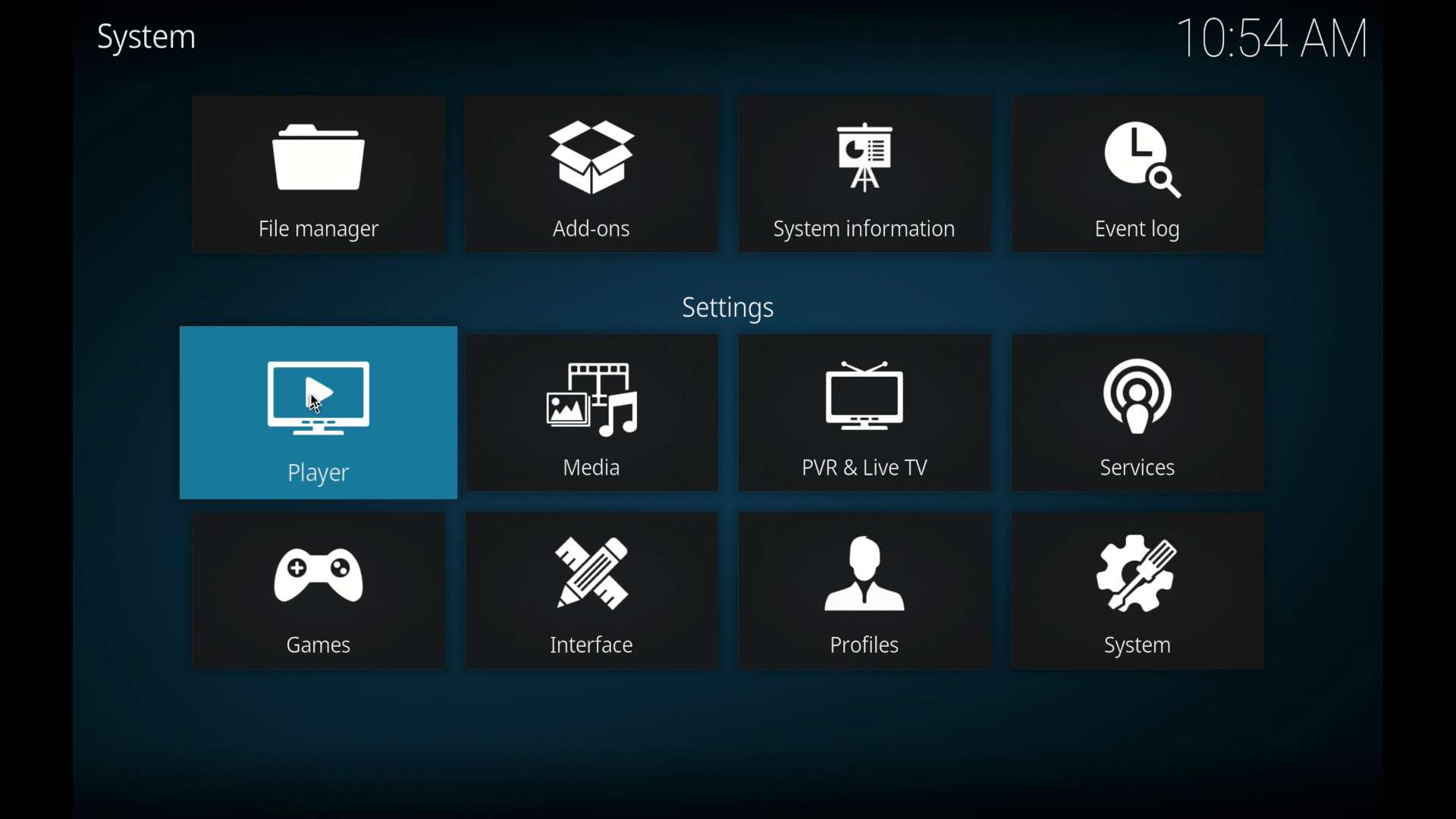  I want to click on profiles, so click(865, 589).